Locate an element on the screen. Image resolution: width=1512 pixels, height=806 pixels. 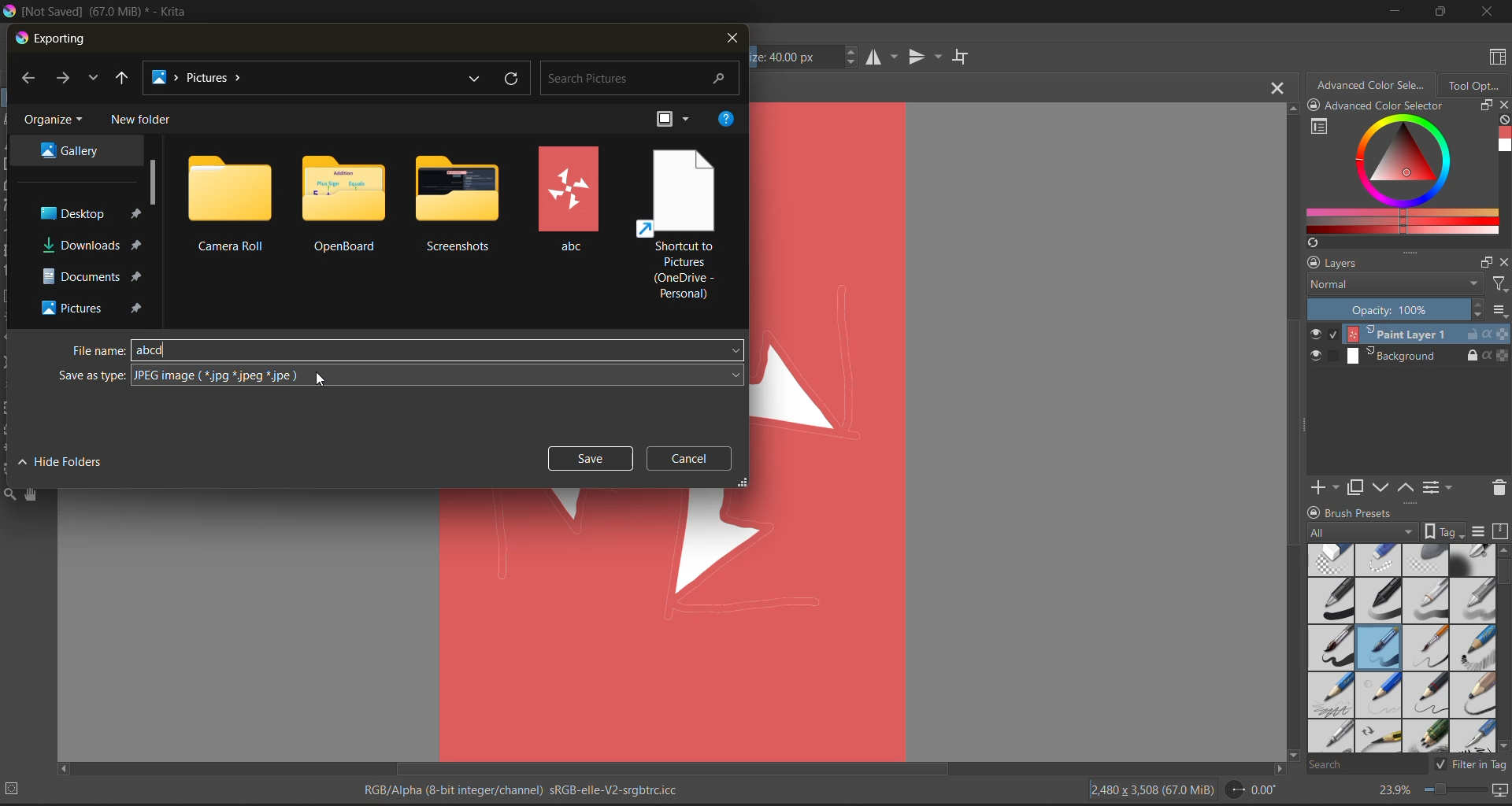
close is located at coordinates (1487, 13).